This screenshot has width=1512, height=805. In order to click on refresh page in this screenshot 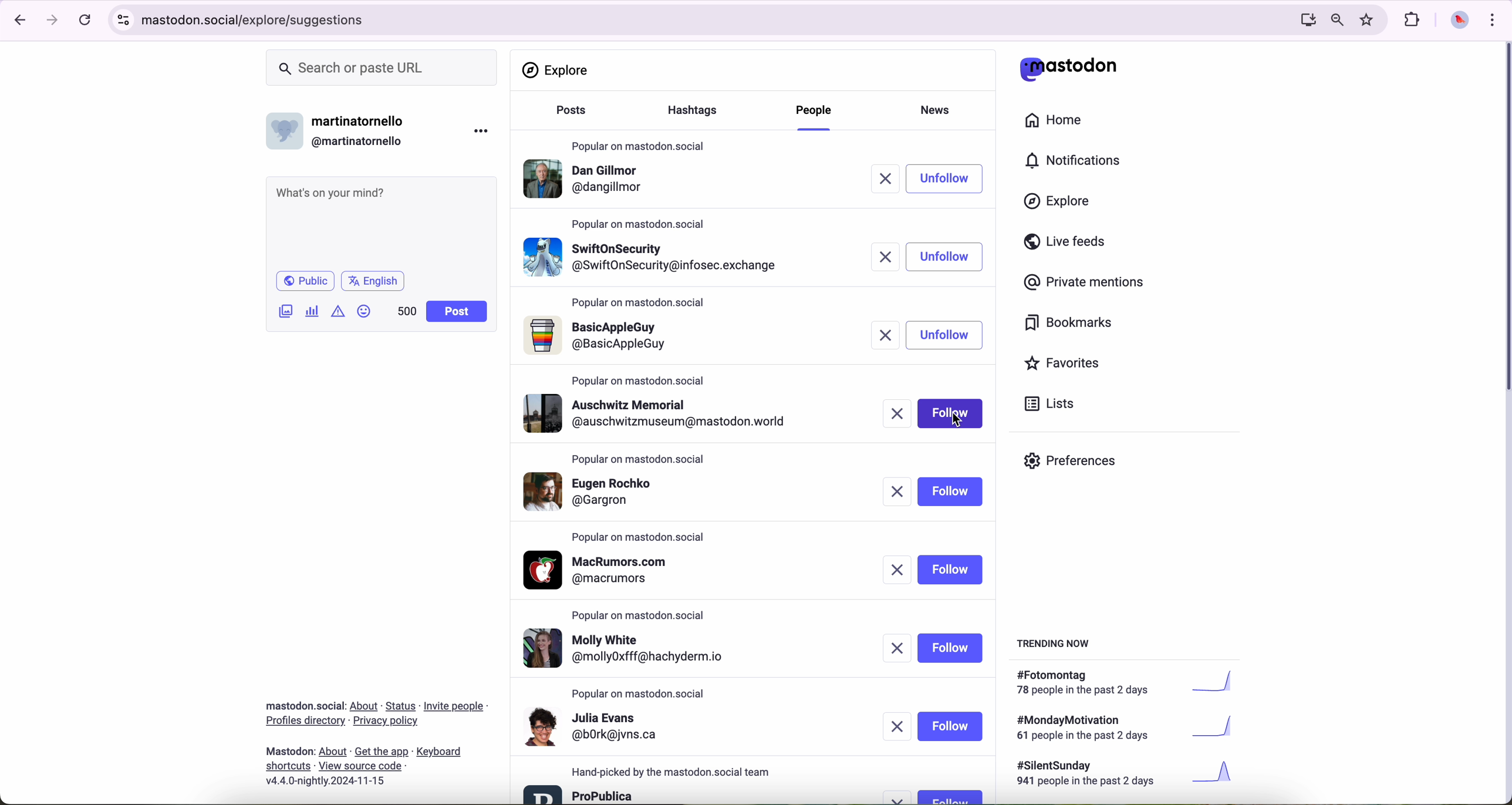, I will do `click(86, 21)`.